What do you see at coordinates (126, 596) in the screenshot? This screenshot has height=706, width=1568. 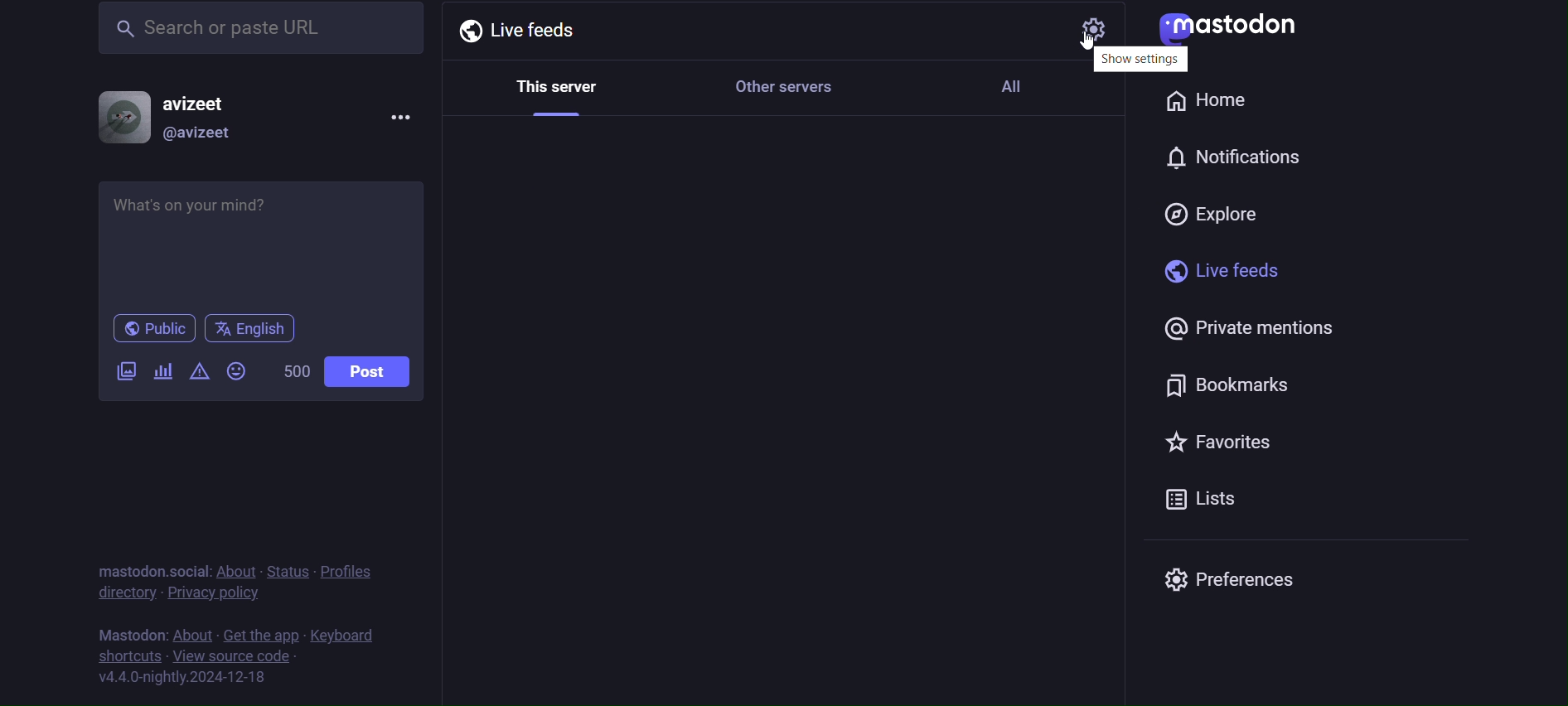 I see `directory` at bounding box center [126, 596].